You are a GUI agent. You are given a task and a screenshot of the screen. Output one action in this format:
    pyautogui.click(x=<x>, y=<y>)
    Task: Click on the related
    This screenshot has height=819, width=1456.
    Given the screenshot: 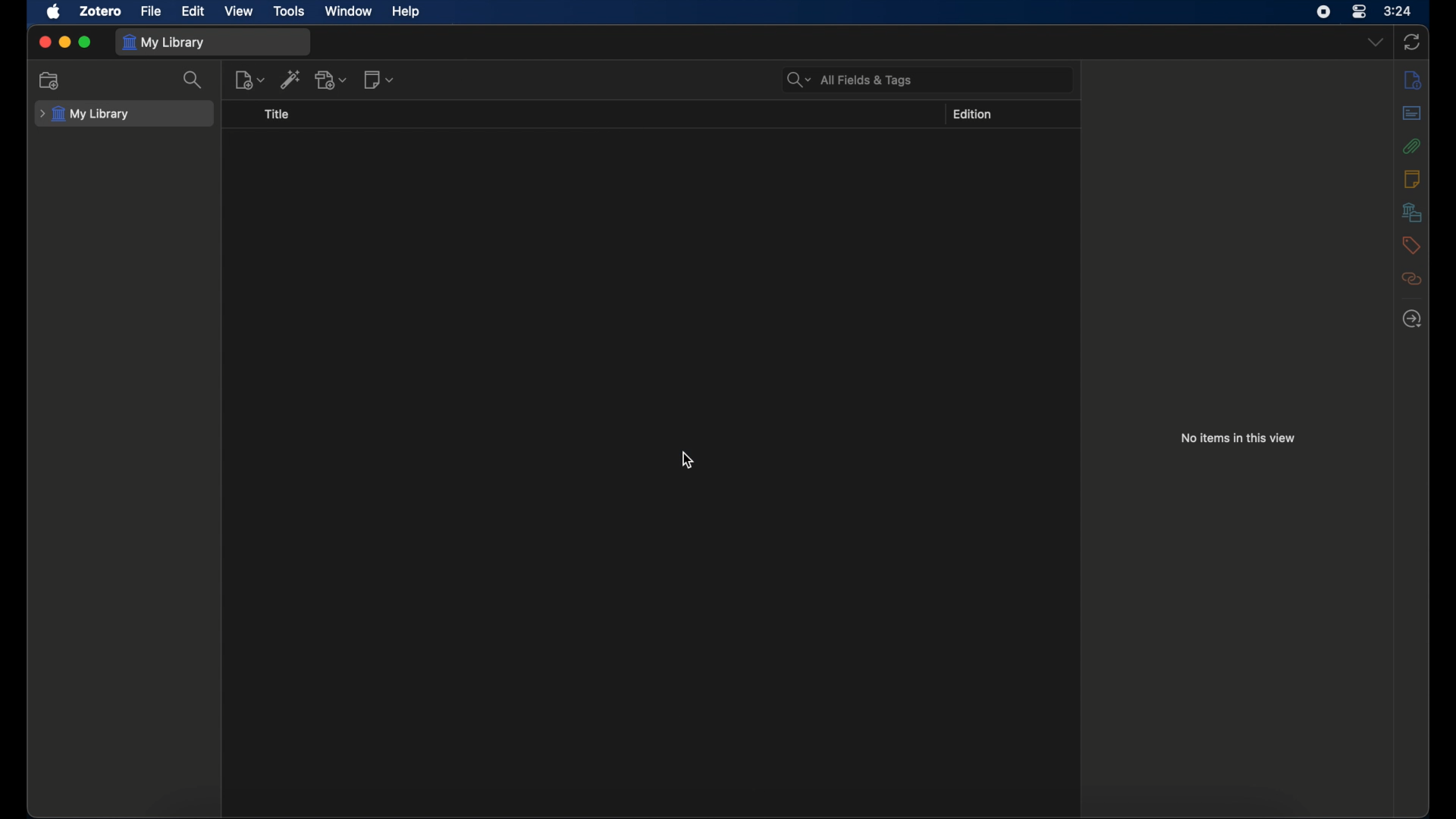 What is the action you would take?
    pyautogui.click(x=1412, y=279)
    